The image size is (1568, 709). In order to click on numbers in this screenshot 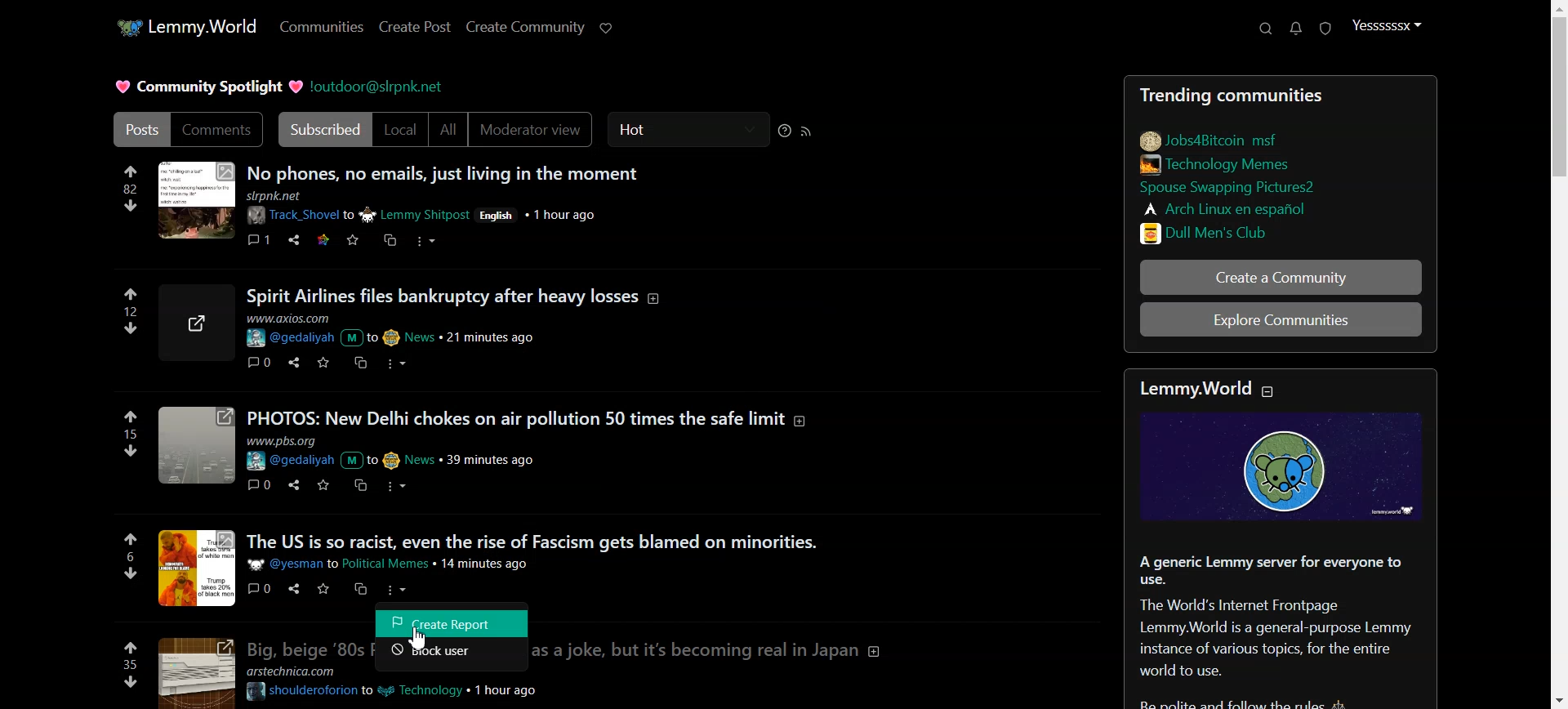, I will do `click(131, 434)`.